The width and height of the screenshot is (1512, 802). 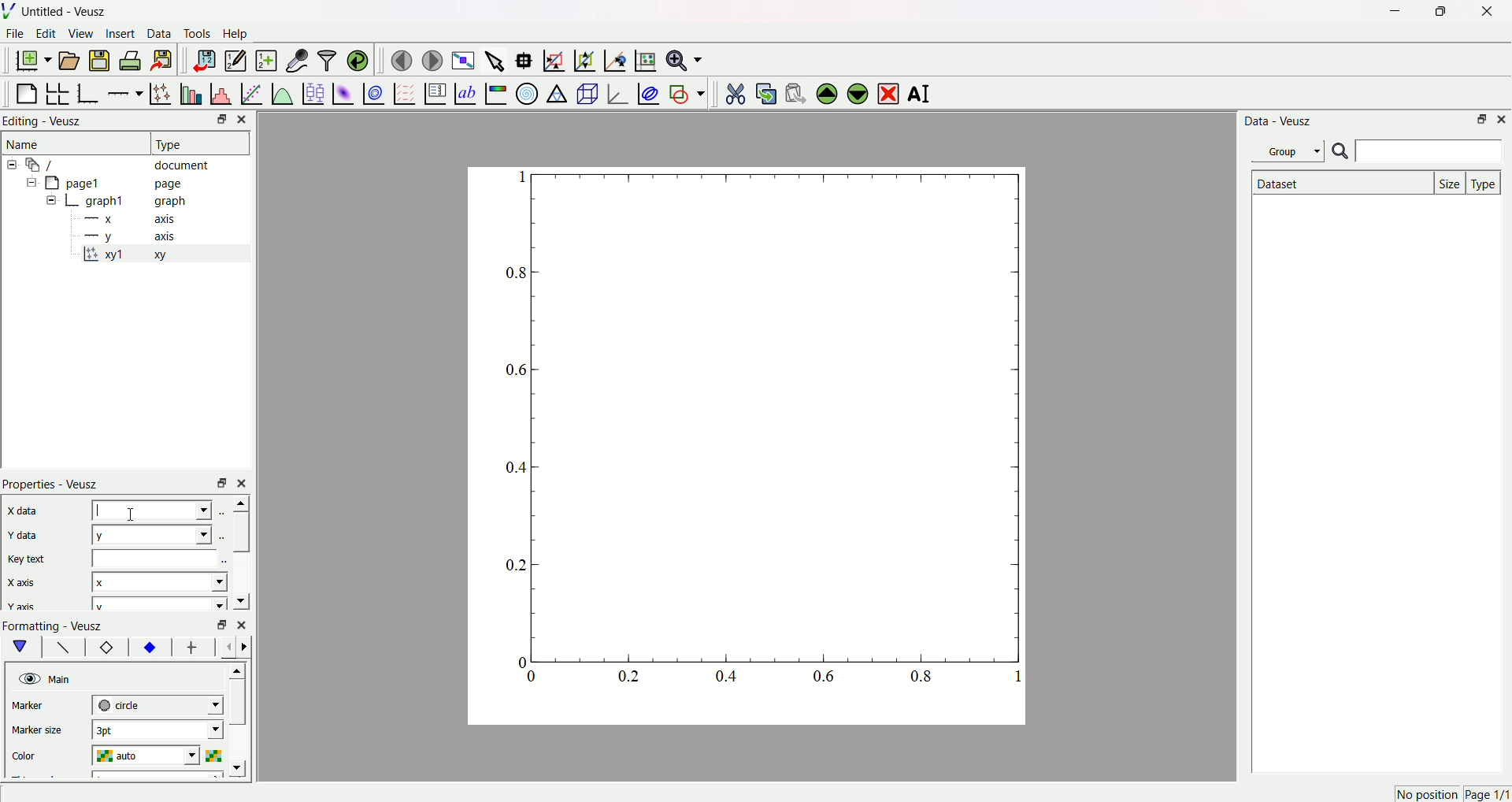 I want to click on edit and entry new datasets, so click(x=235, y=62).